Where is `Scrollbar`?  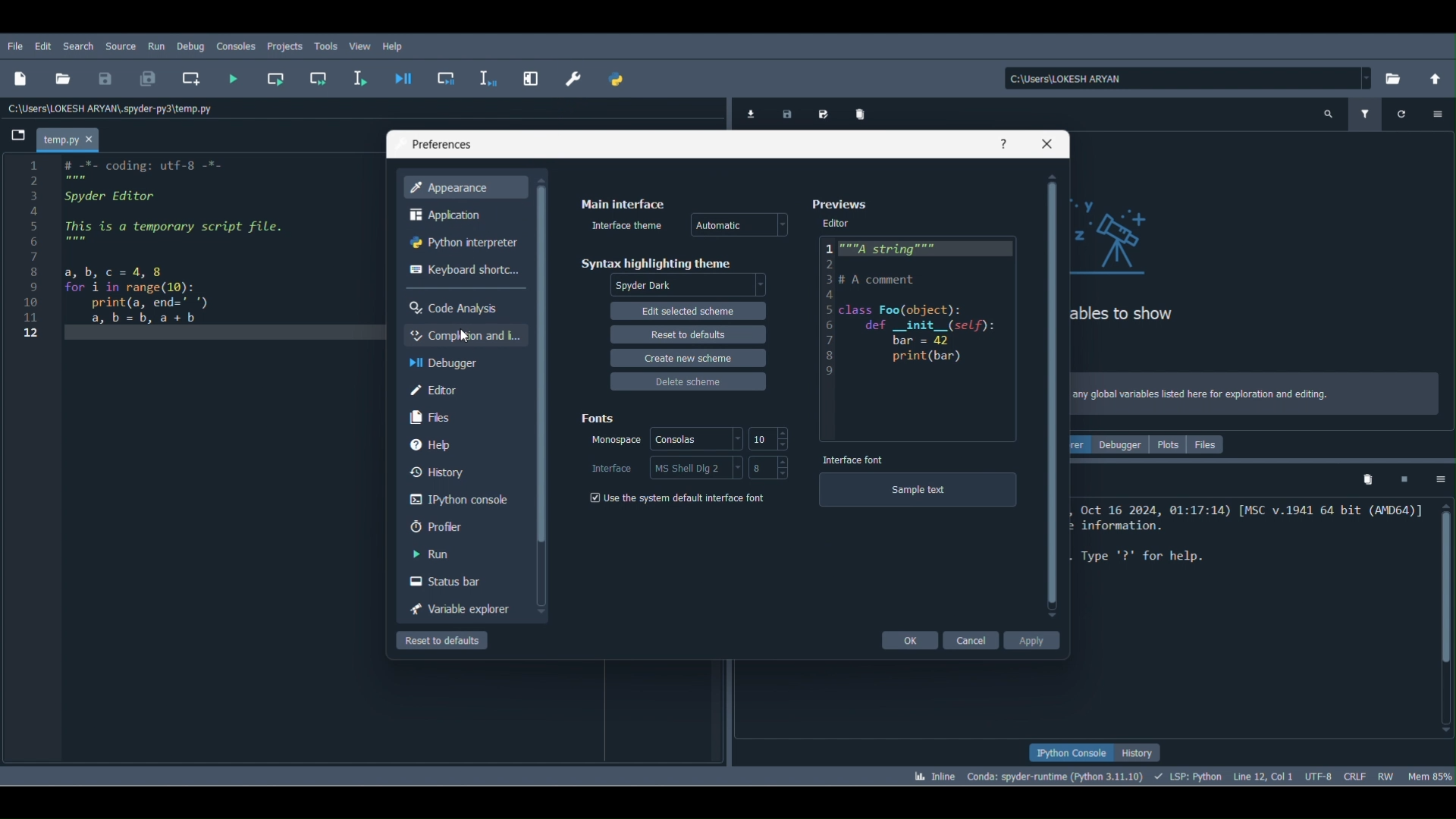
Scrollbar is located at coordinates (1442, 613).